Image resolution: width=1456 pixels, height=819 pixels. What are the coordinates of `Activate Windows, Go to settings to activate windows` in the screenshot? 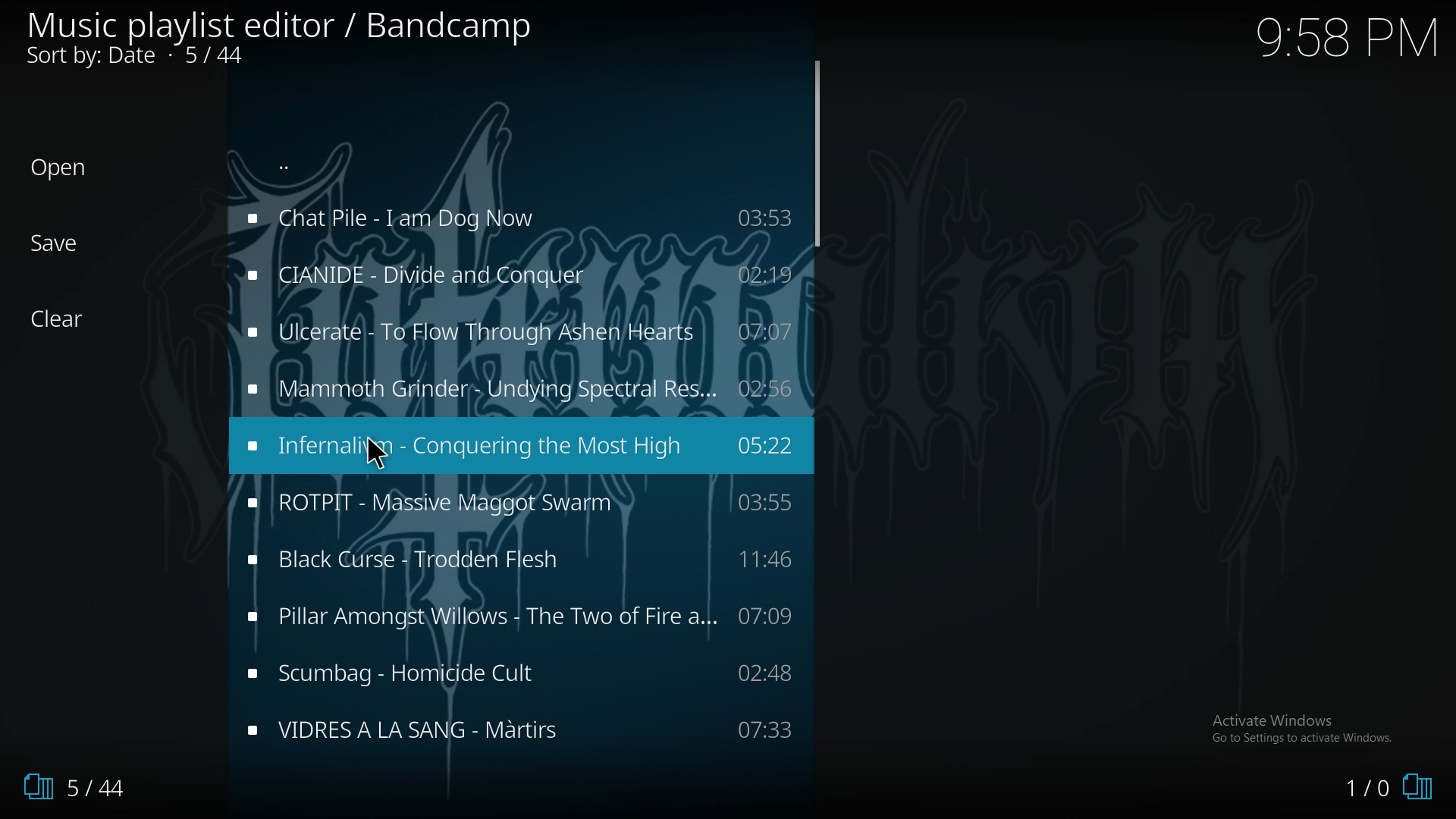 It's located at (1305, 728).